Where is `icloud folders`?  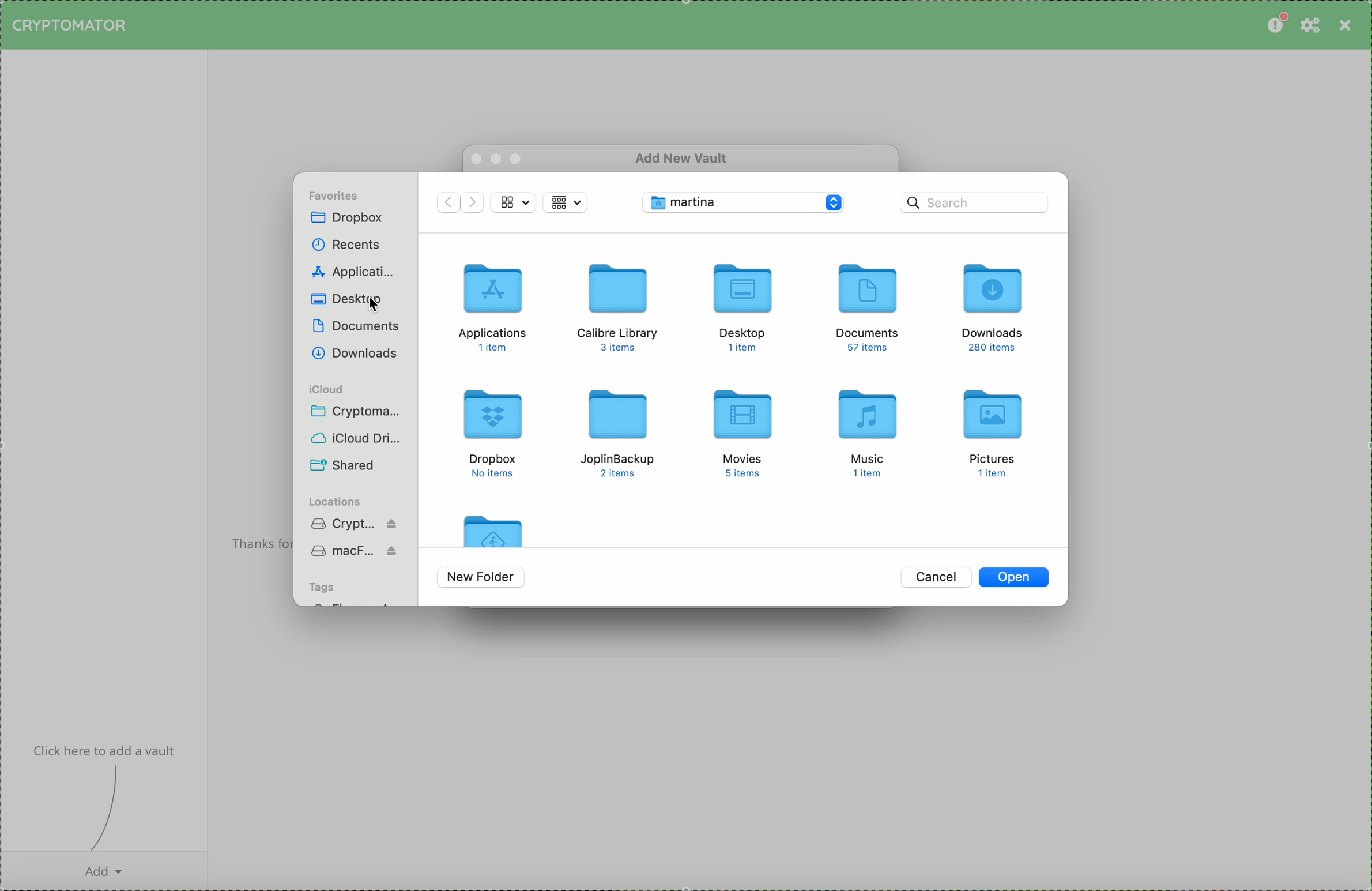
icloud folders is located at coordinates (353, 428).